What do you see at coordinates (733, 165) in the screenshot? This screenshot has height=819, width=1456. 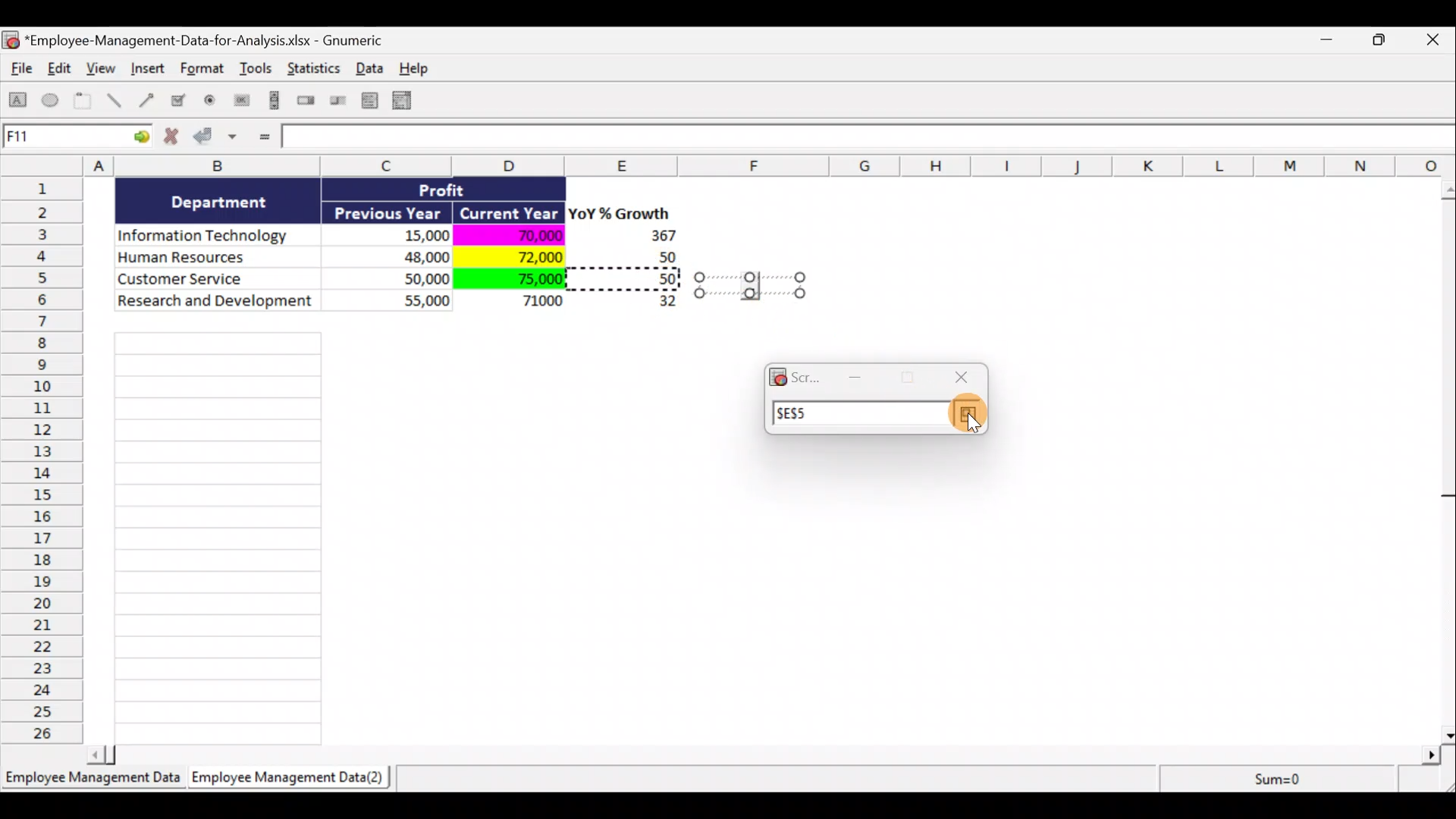 I see `Columns` at bounding box center [733, 165].